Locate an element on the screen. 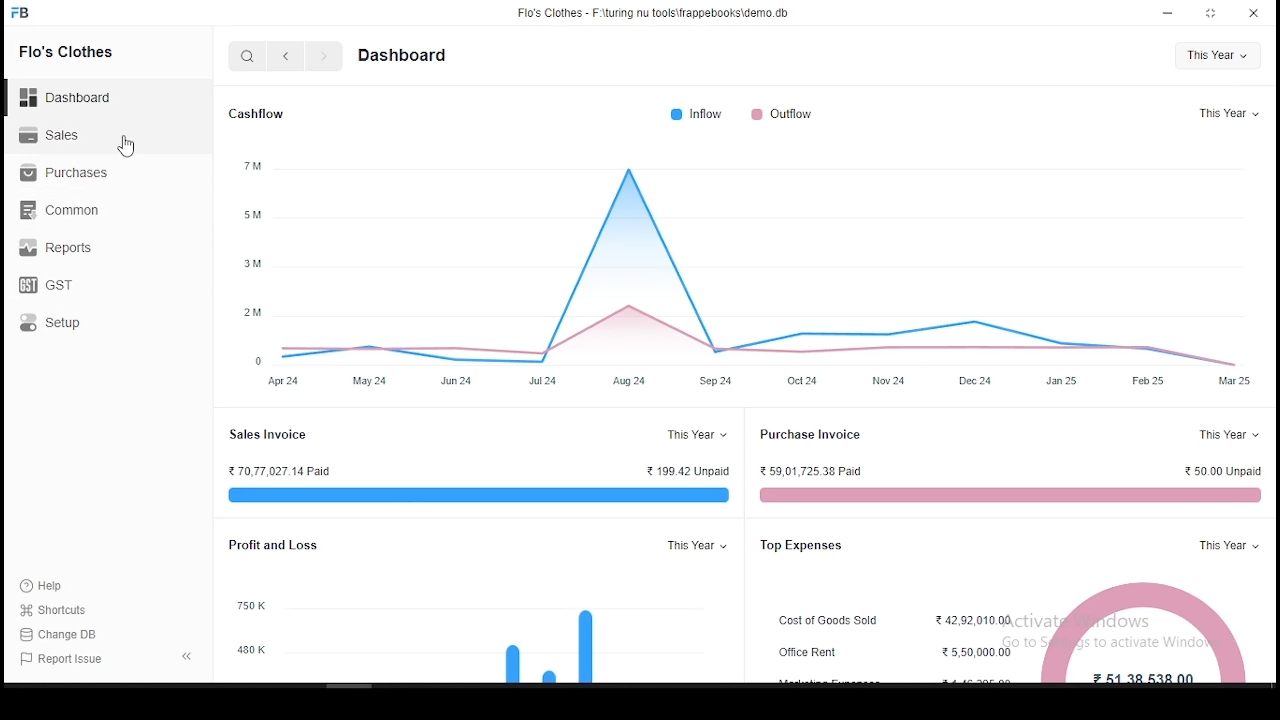 The height and width of the screenshot is (720, 1280). this year is located at coordinates (1218, 53).